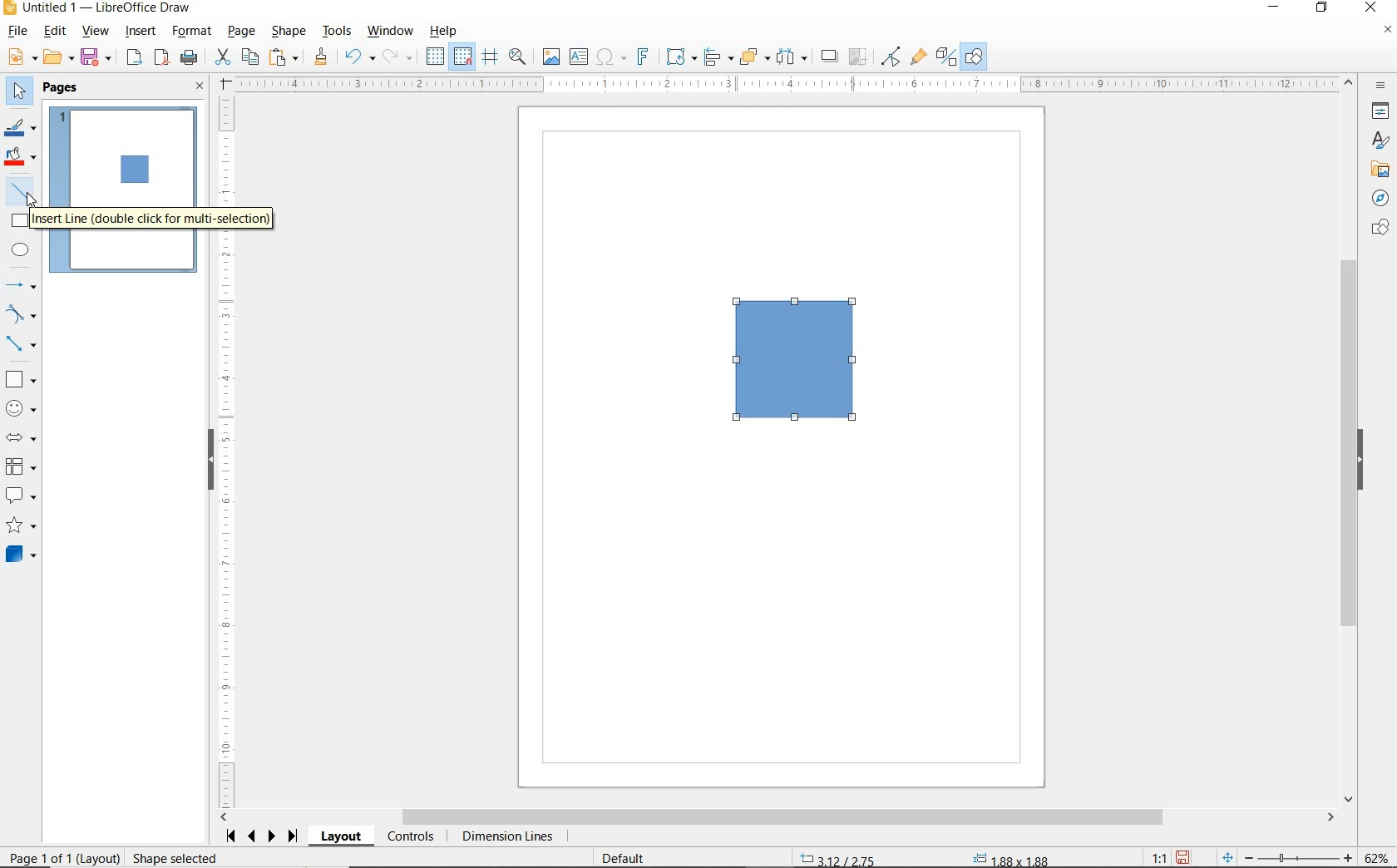 The width and height of the screenshot is (1397, 868). Describe the element at coordinates (578, 57) in the screenshot. I see `INSERT TEXT BOX` at that location.